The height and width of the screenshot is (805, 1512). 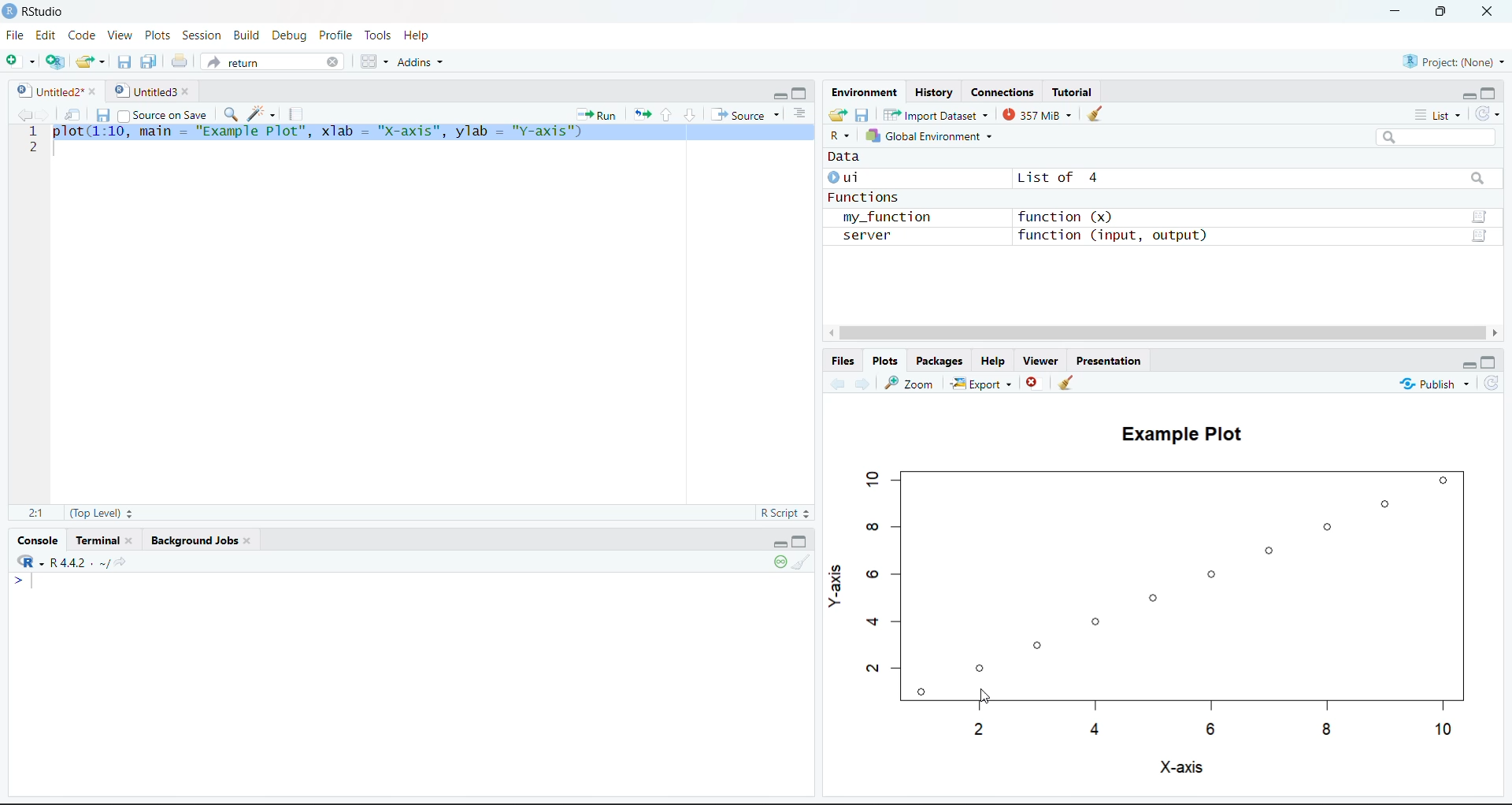 I want to click on Show document outline (Ctrl + Shift + O), so click(x=798, y=113).